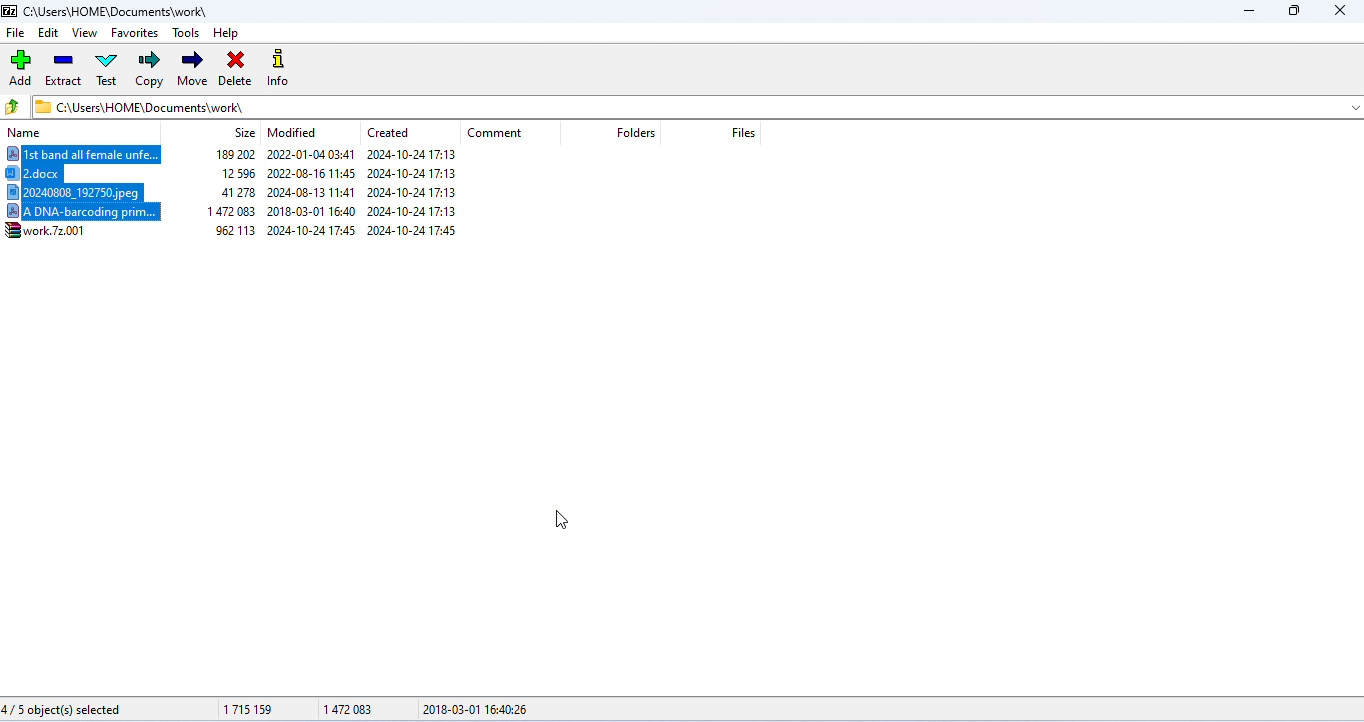 The image size is (1364, 722). Describe the element at coordinates (63, 69) in the screenshot. I see `extract` at that location.